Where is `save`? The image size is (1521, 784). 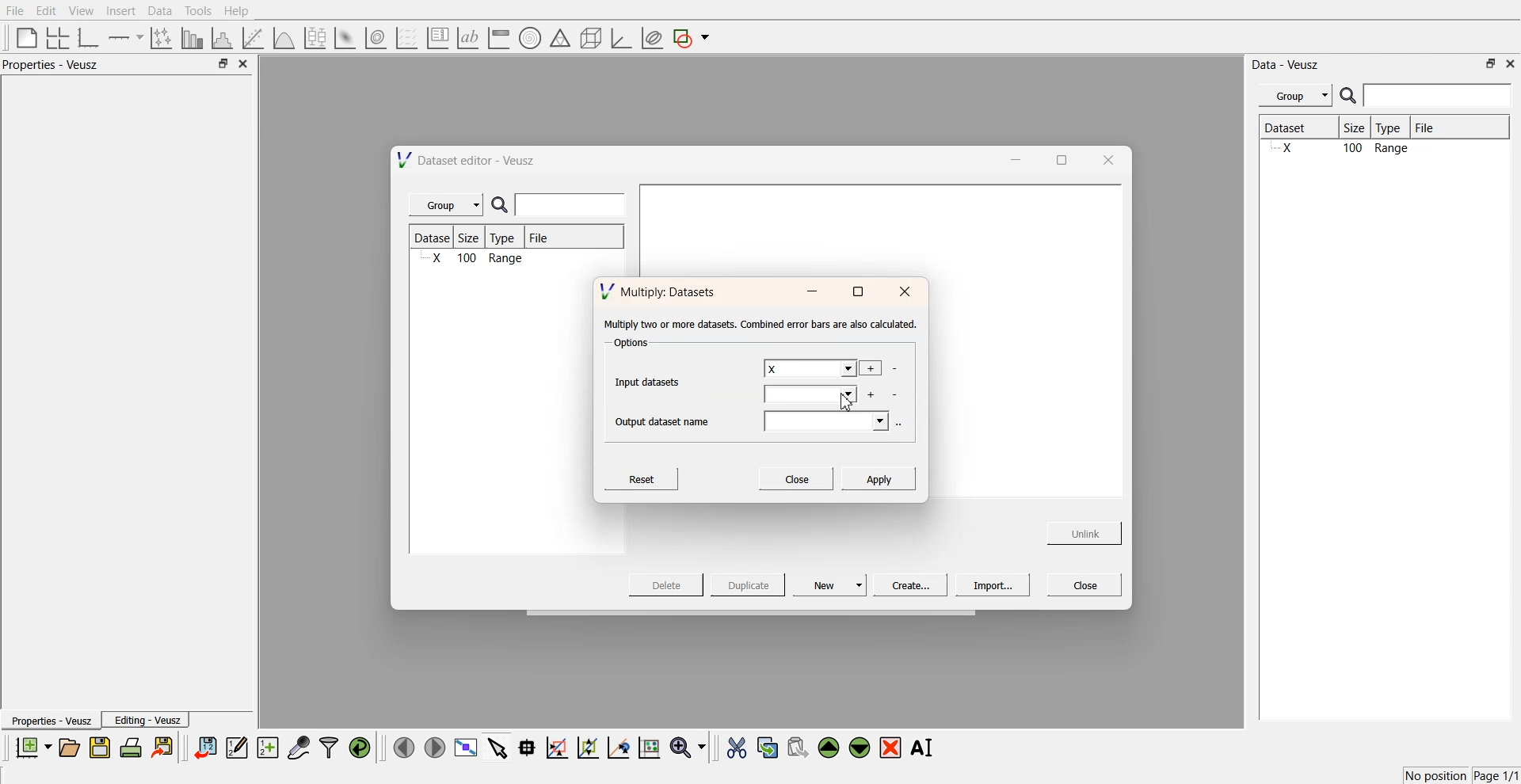
save is located at coordinates (102, 748).